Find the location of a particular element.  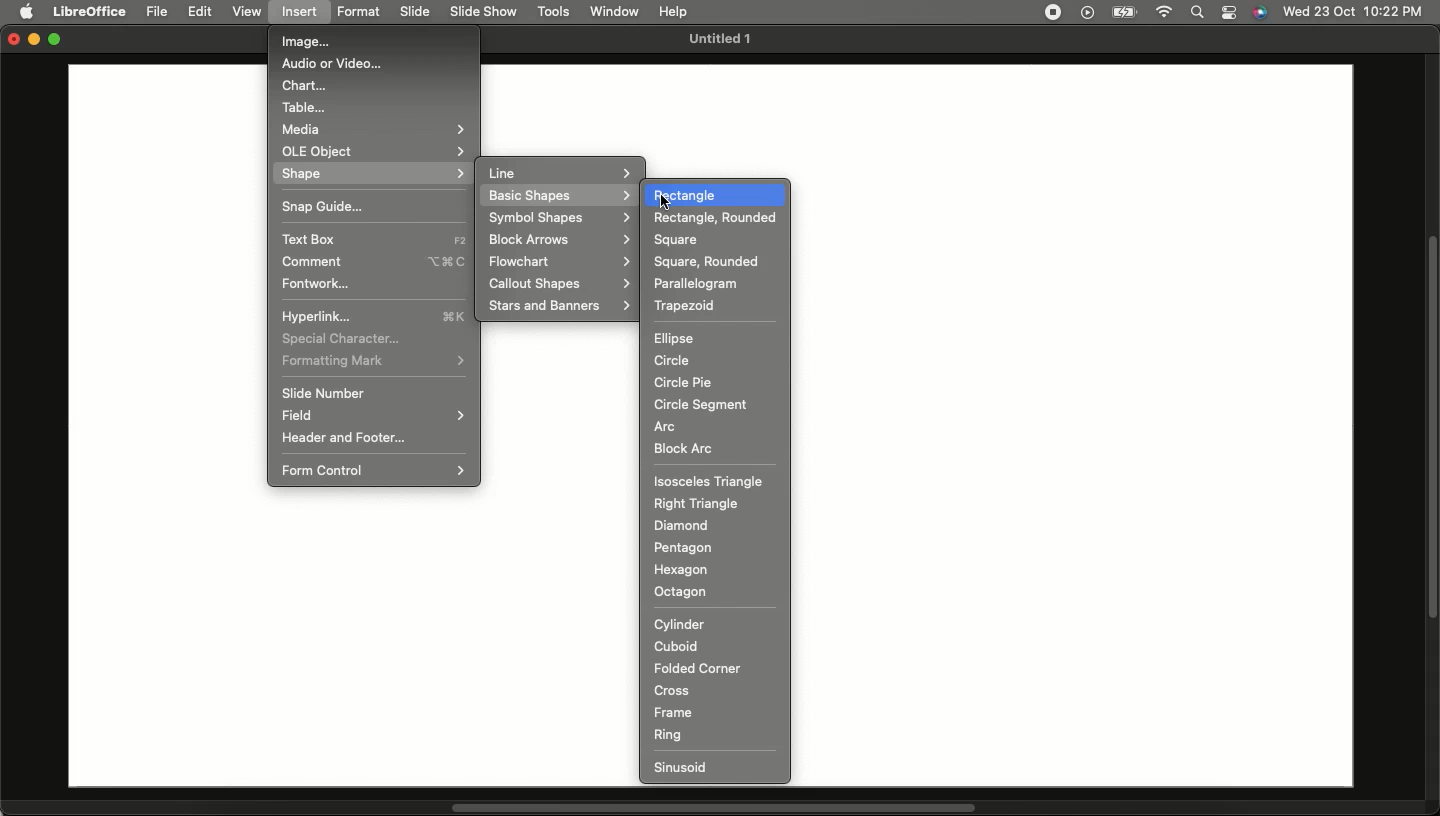

Date/time is located at coordinates (1353, 11).